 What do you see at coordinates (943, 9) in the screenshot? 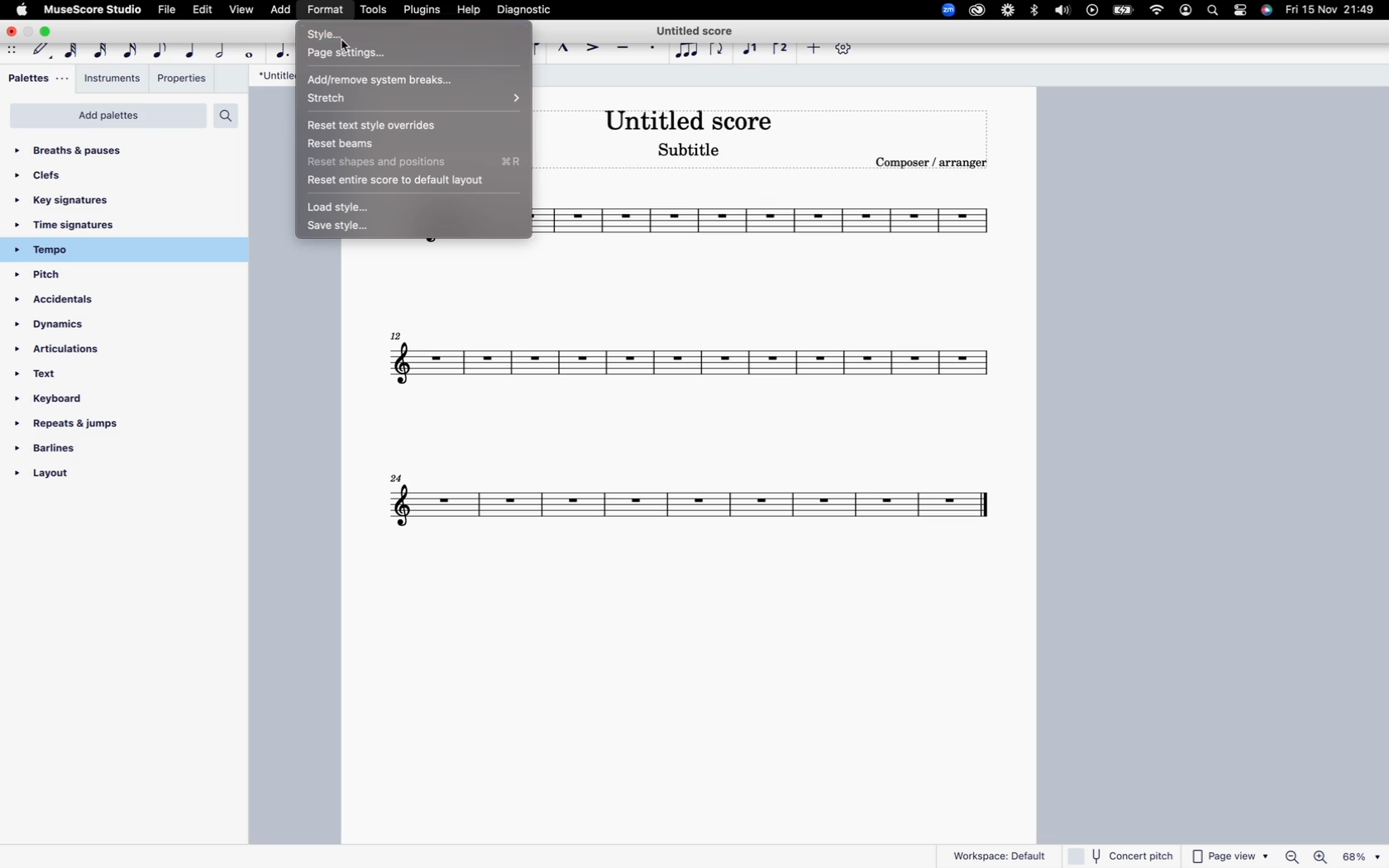
I see `zoom` at bounding box center [943, 9].